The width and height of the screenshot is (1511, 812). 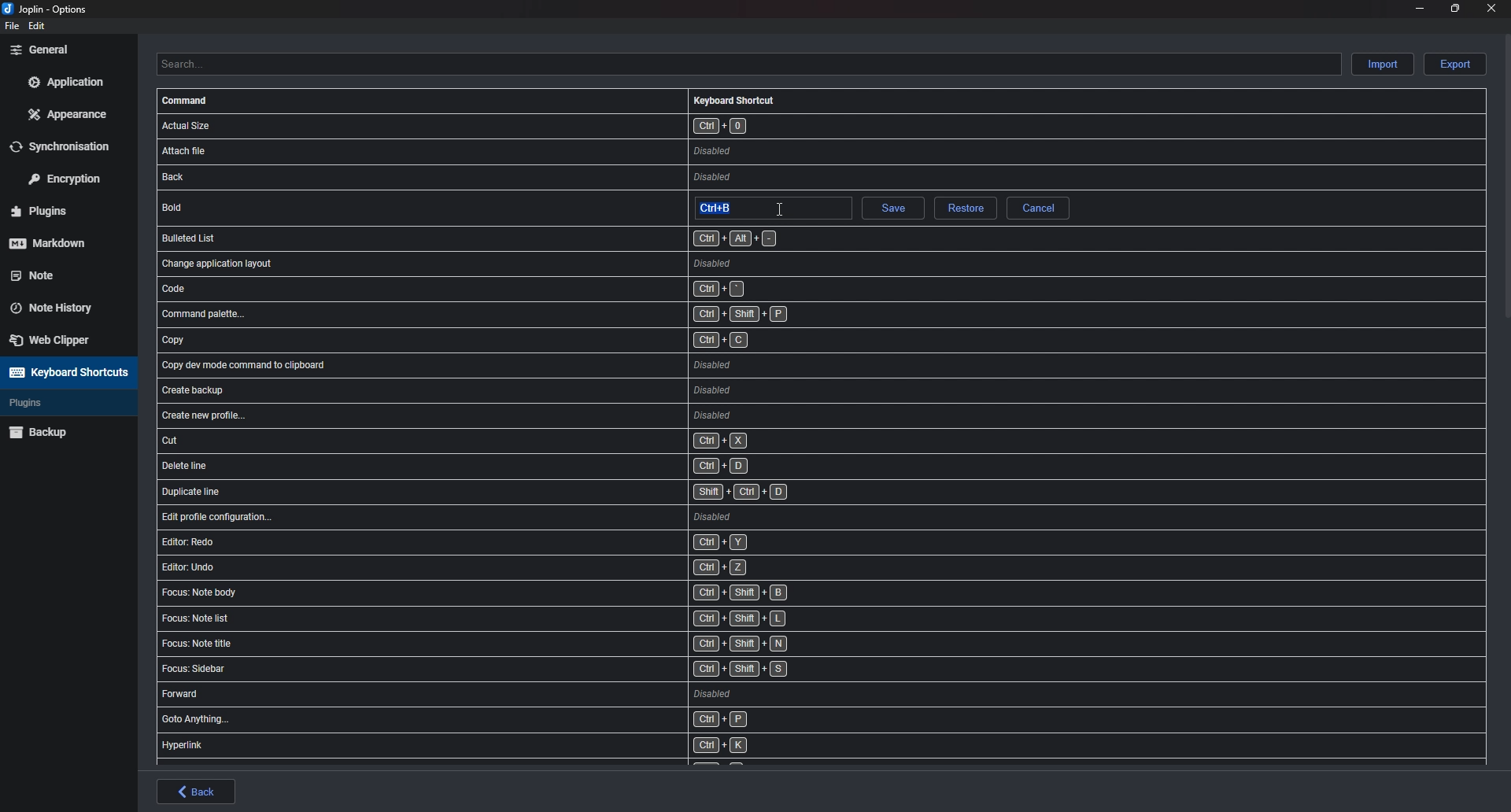 I want to click on shortcut, so click(x=530, y=342).